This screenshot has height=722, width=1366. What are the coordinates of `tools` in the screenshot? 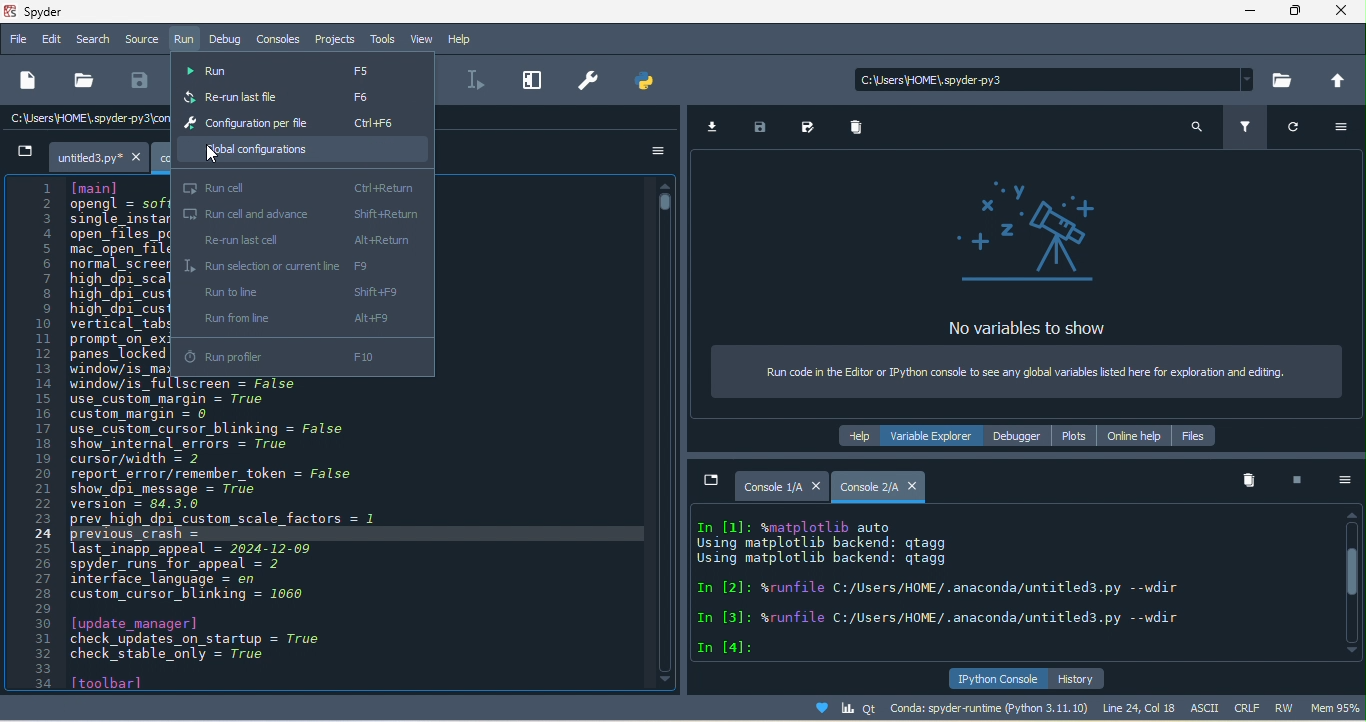 It's located at (386, 40).